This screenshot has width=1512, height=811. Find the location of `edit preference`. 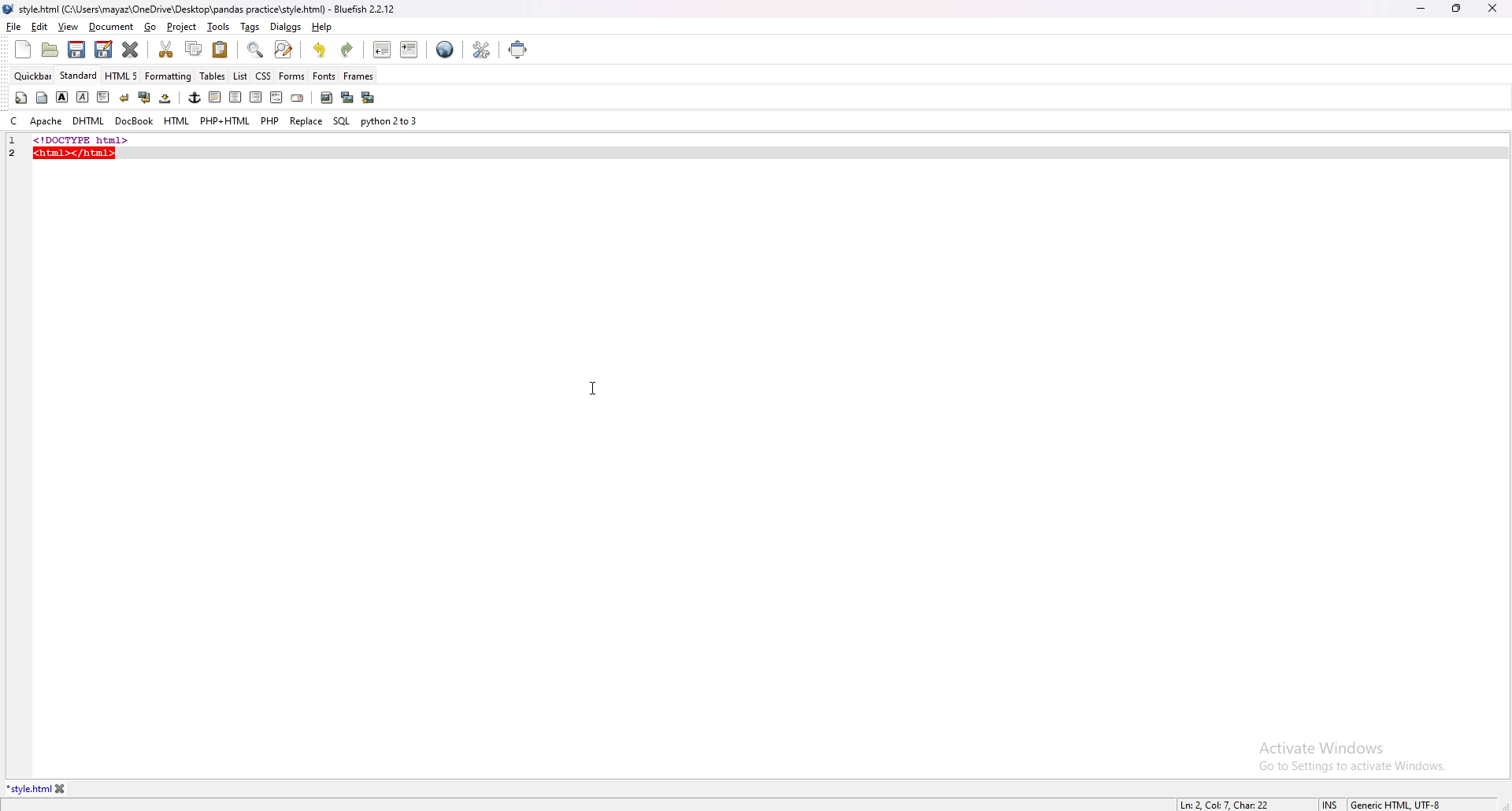

edit preference is located at coordinates (480, 49).